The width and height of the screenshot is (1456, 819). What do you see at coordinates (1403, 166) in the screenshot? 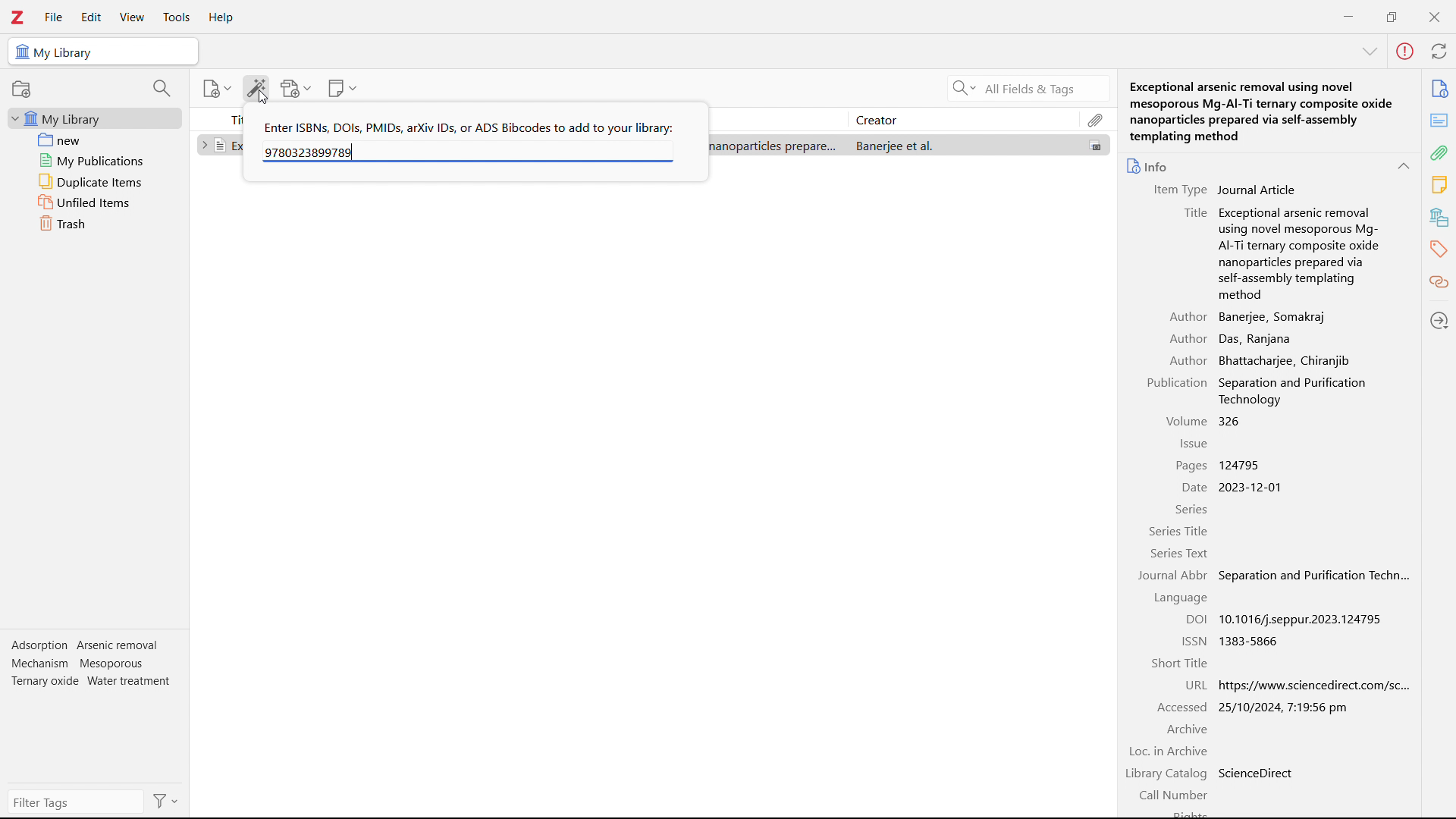
I see `collapse info` at bounding box center [1403, 166].